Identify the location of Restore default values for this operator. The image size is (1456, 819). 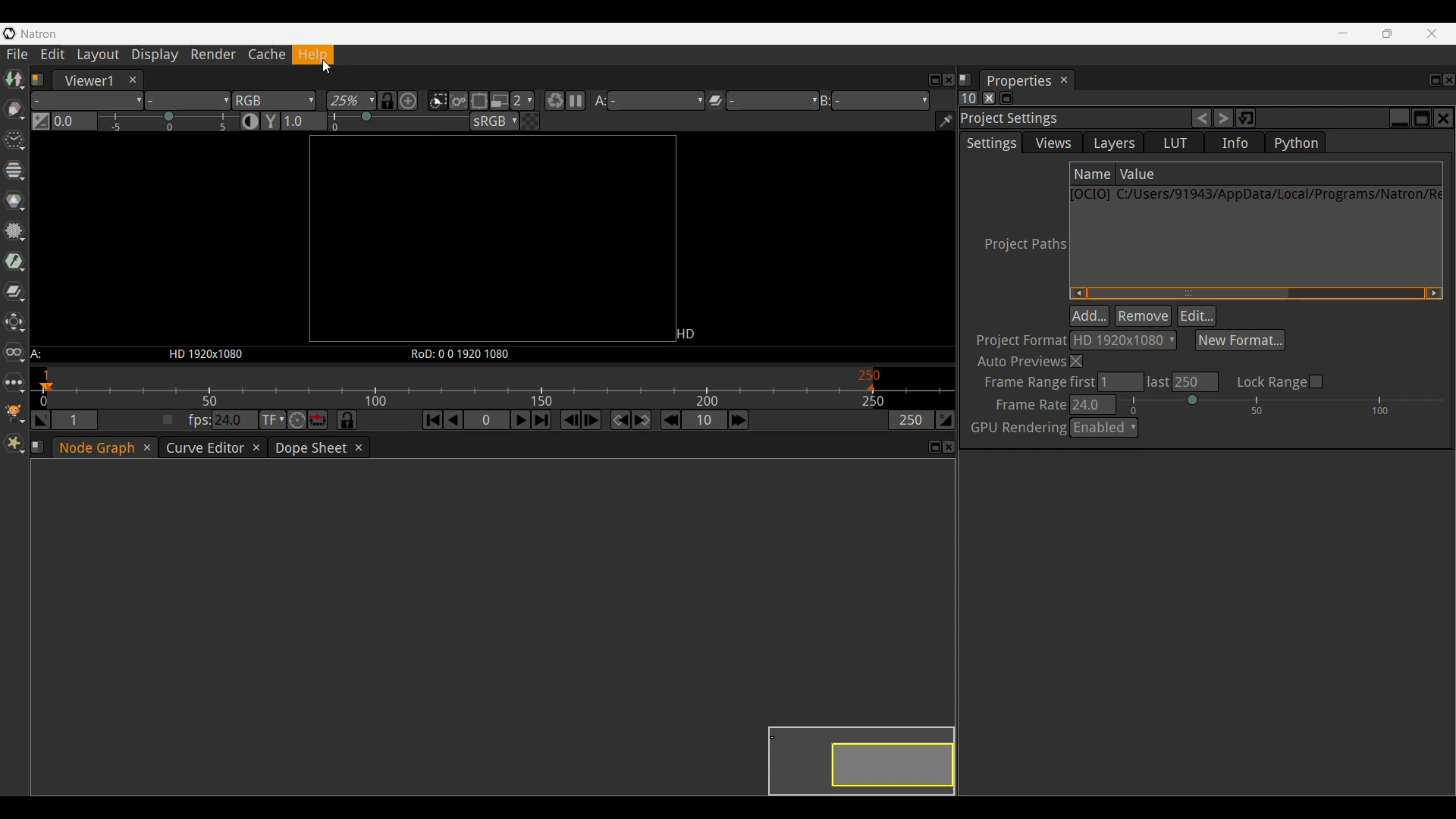
(1246, 118).